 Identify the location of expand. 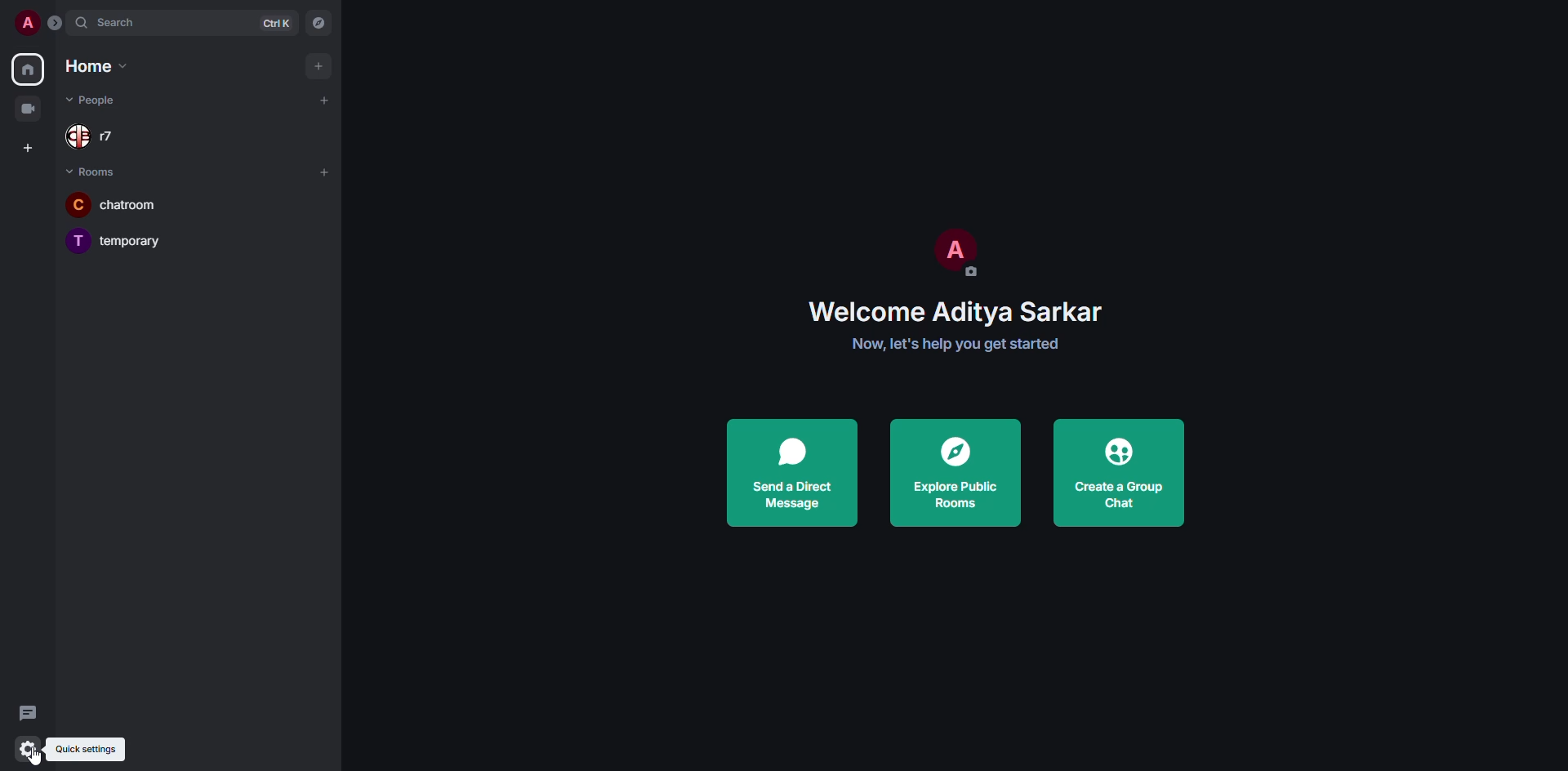
(59, 23).